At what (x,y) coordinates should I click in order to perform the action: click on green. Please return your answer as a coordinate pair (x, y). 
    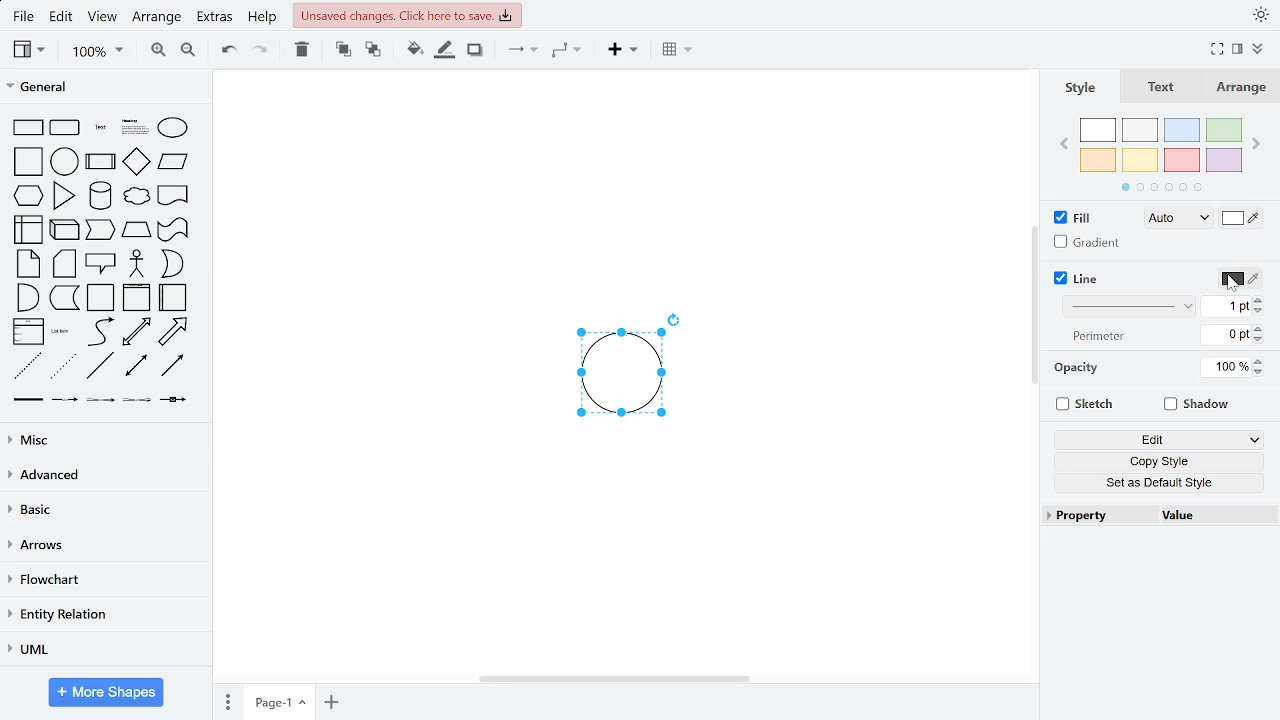
    Looking at the image, I should click on (1225, 130).